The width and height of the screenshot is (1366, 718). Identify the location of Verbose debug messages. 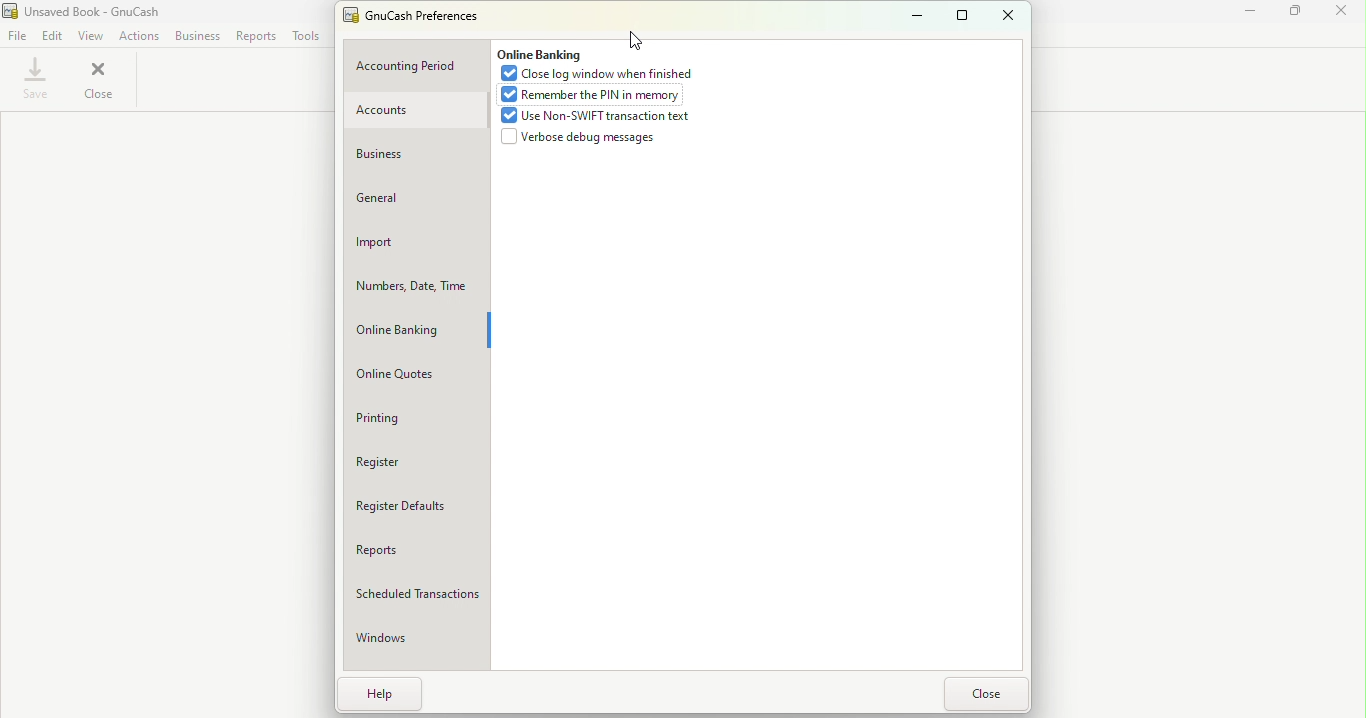
(582, 139).